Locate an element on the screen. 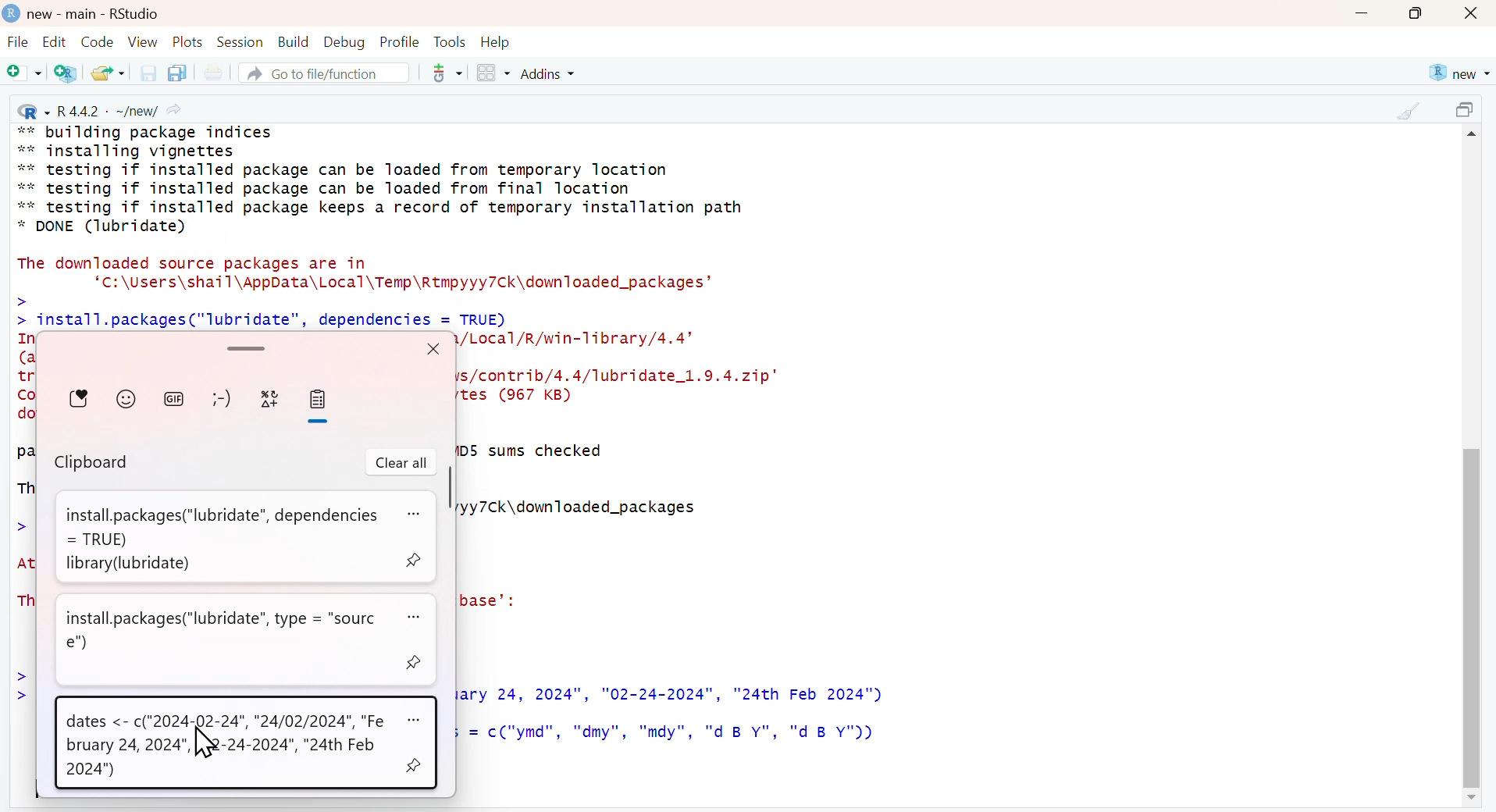 The width and height of the screenshot is (1496, 812). clipboard is located at coordinates (317, 400).